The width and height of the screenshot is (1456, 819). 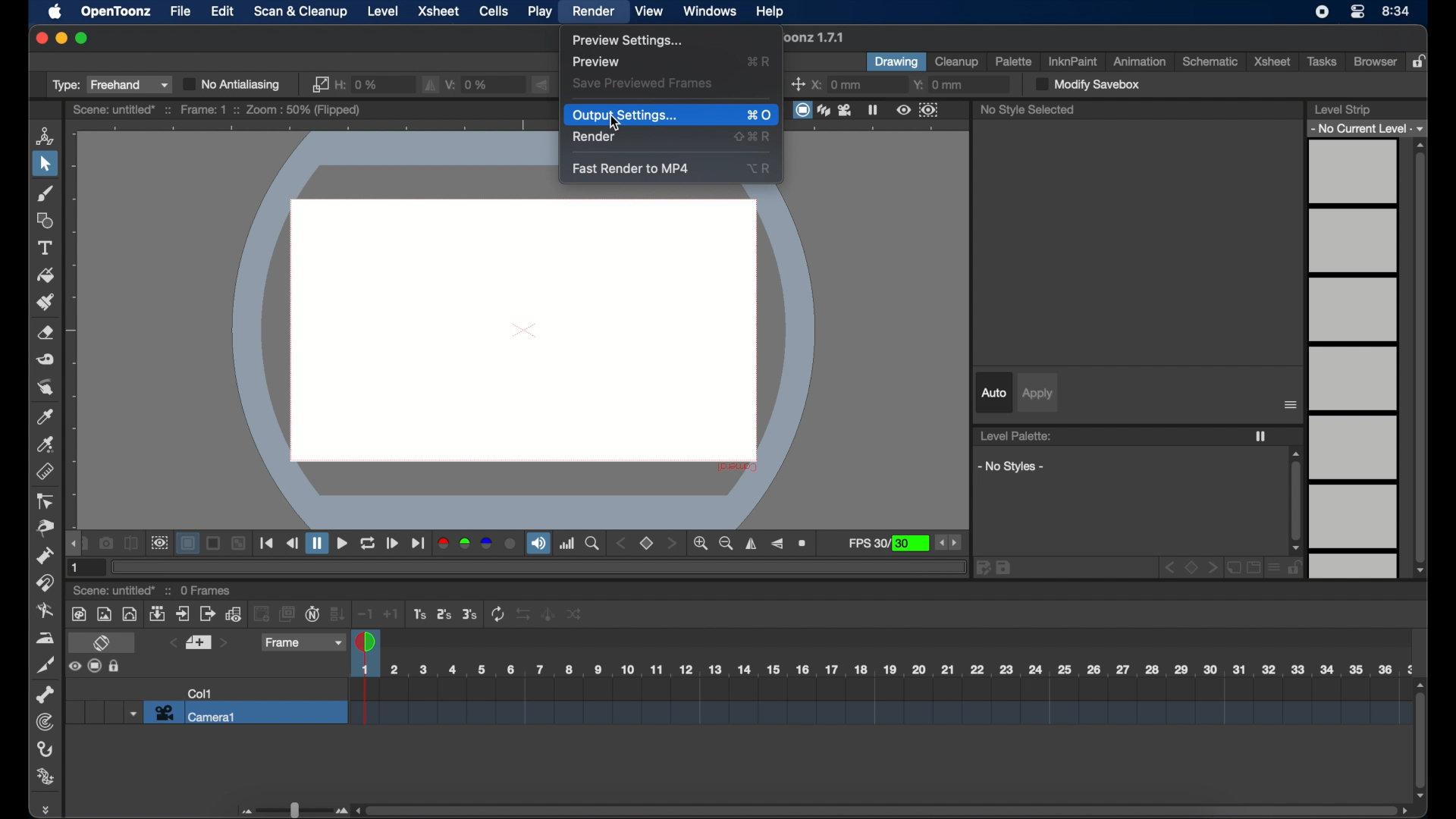 I want to click on , so click(x=262, y=613).